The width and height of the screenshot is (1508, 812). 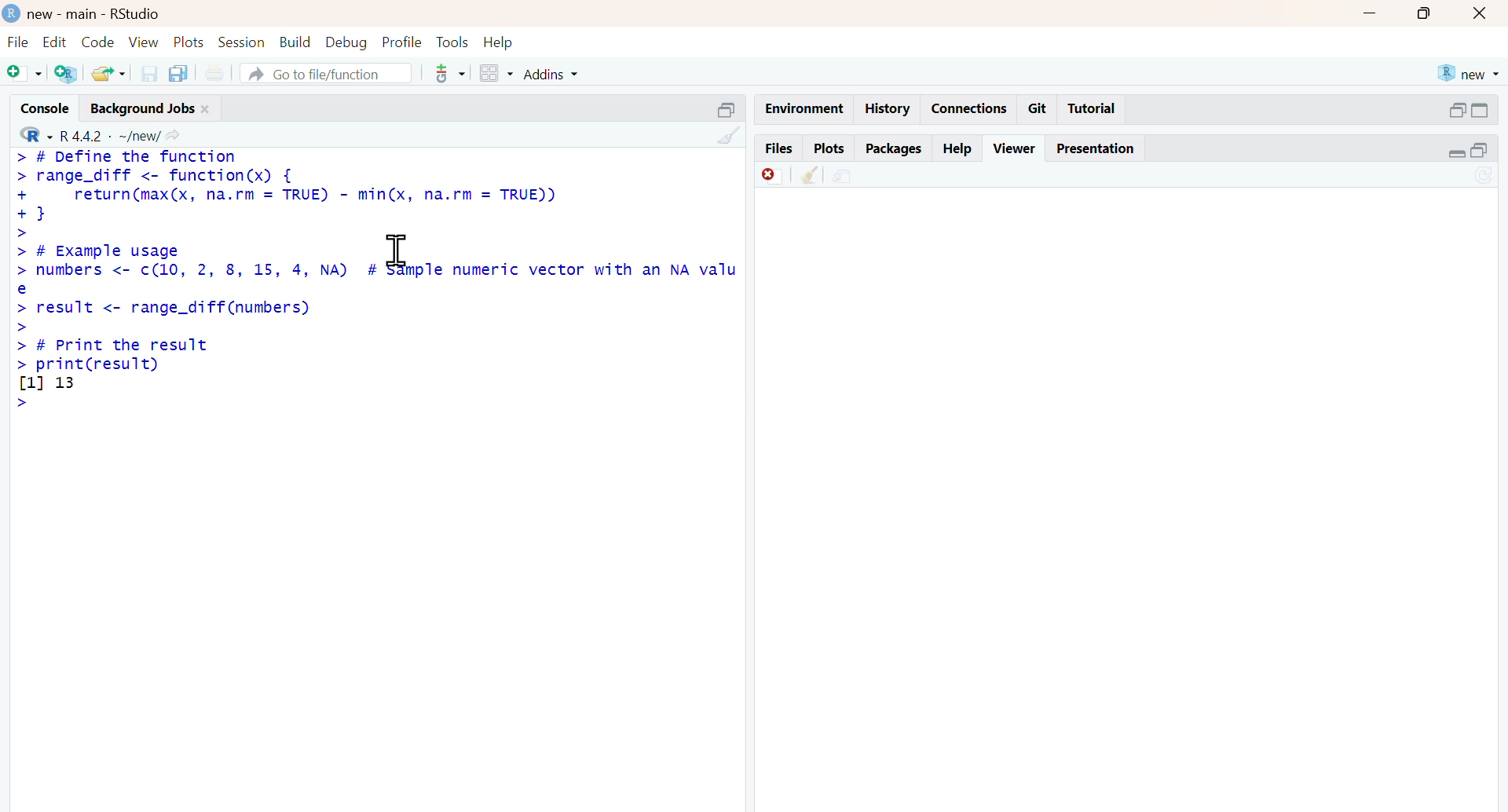 I want to click on share icon, so click(x=172, y=136).